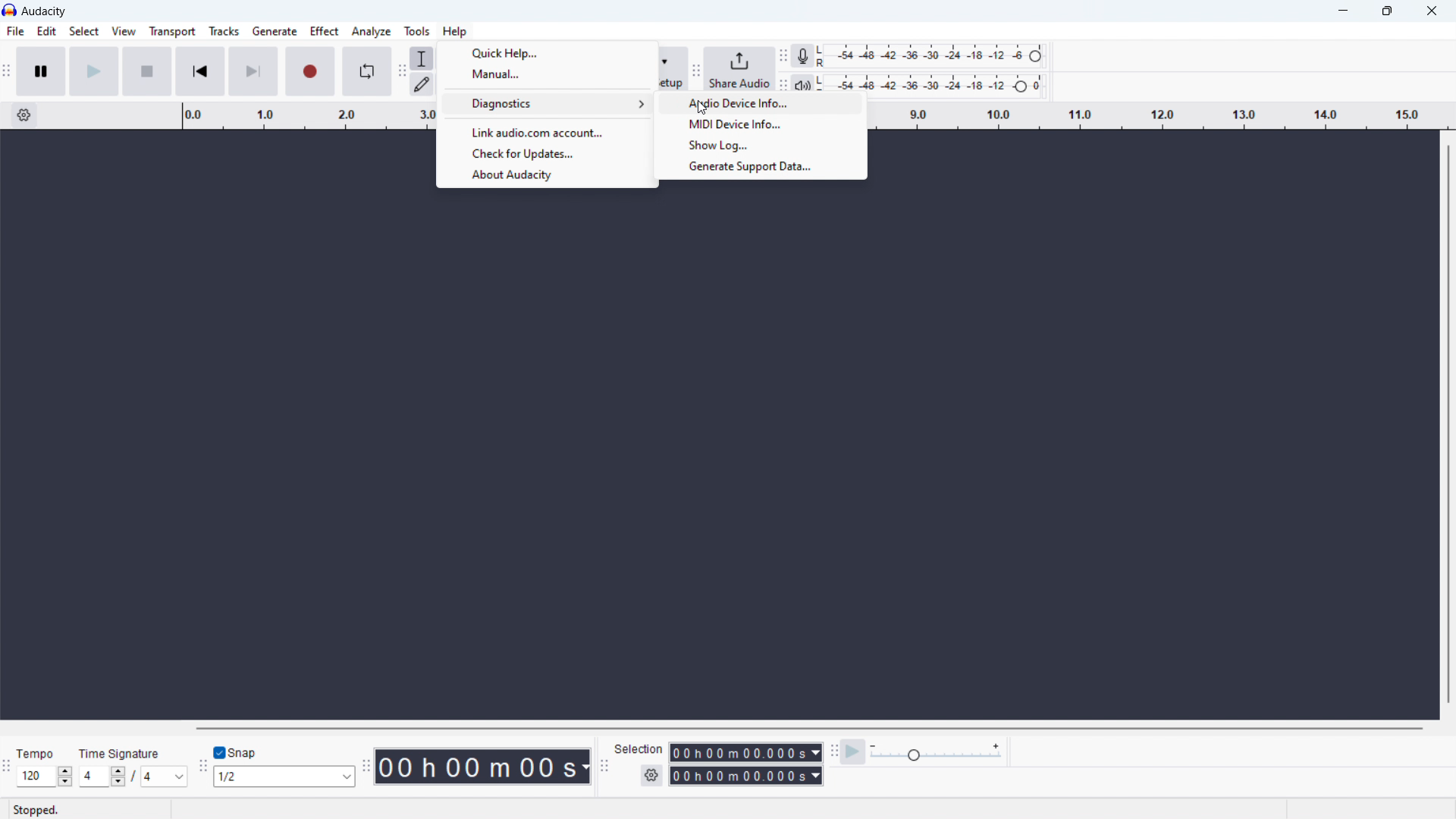 This screenshot has height=819, width=1456. What do you see at coordinates (783, 57) in the screenshot?
I see `recording meter toolbar` at bounding box center [783, 57].